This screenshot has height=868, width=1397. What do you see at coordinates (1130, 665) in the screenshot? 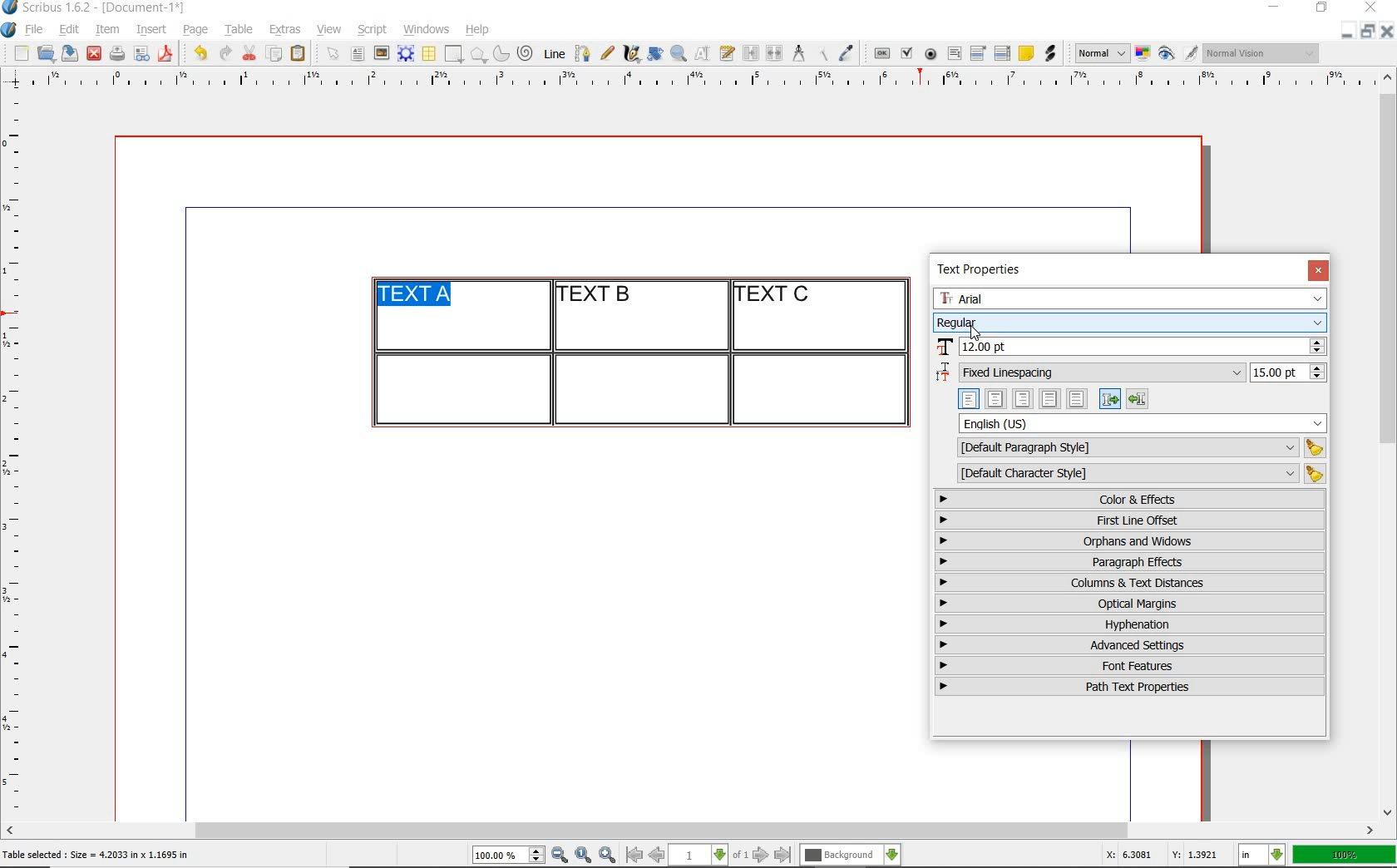
I see `font features` at bounding box center [1130, 665].